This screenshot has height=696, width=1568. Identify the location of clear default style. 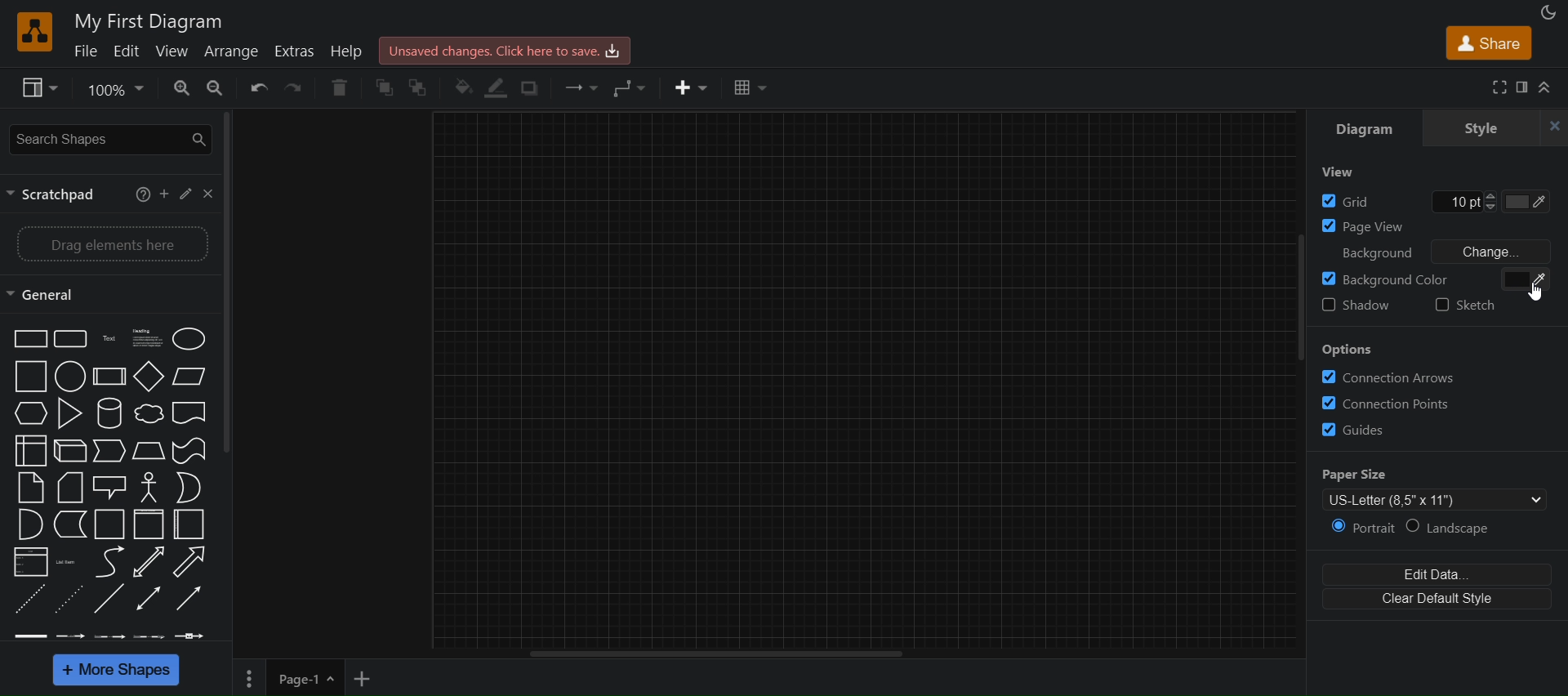
(1441, 601).